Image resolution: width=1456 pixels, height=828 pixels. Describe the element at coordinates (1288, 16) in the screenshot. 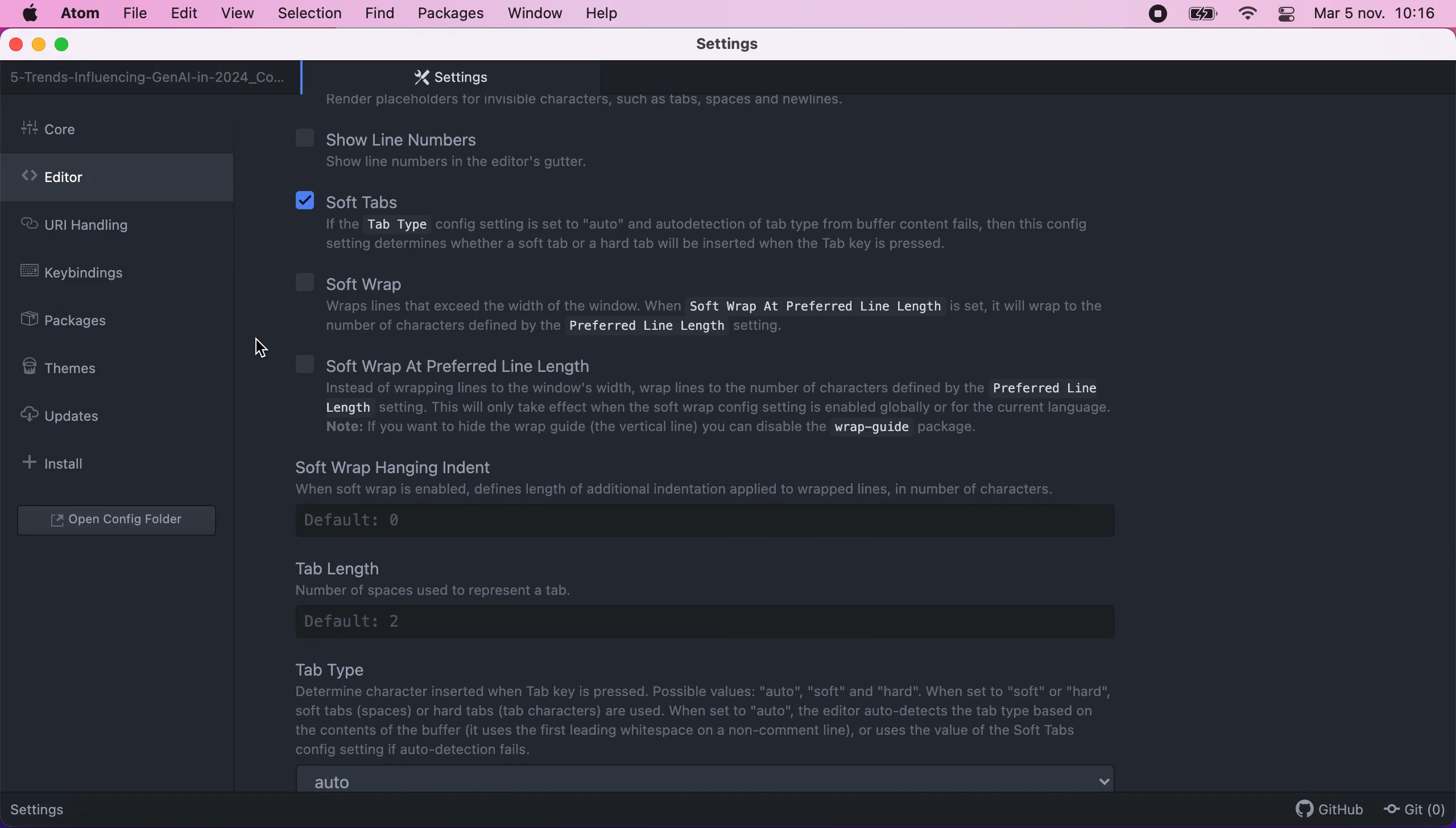

I see `control panel` at that location.